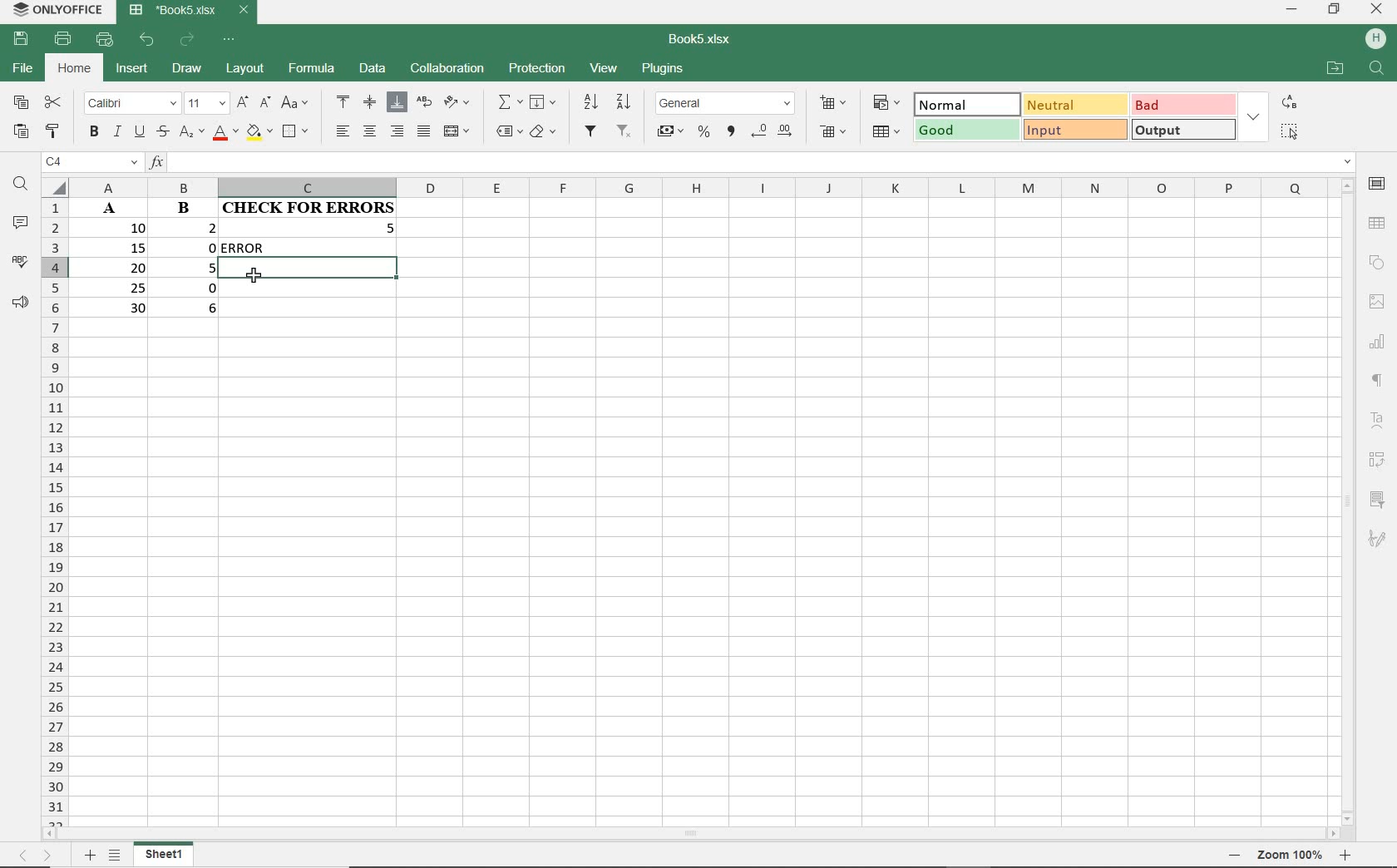 The width and height of the screenshot is (1397, 868). What do you see at coordinates (968, 104) in the screenshot?
I see `NORMAL` at bounding box center [968, 104].